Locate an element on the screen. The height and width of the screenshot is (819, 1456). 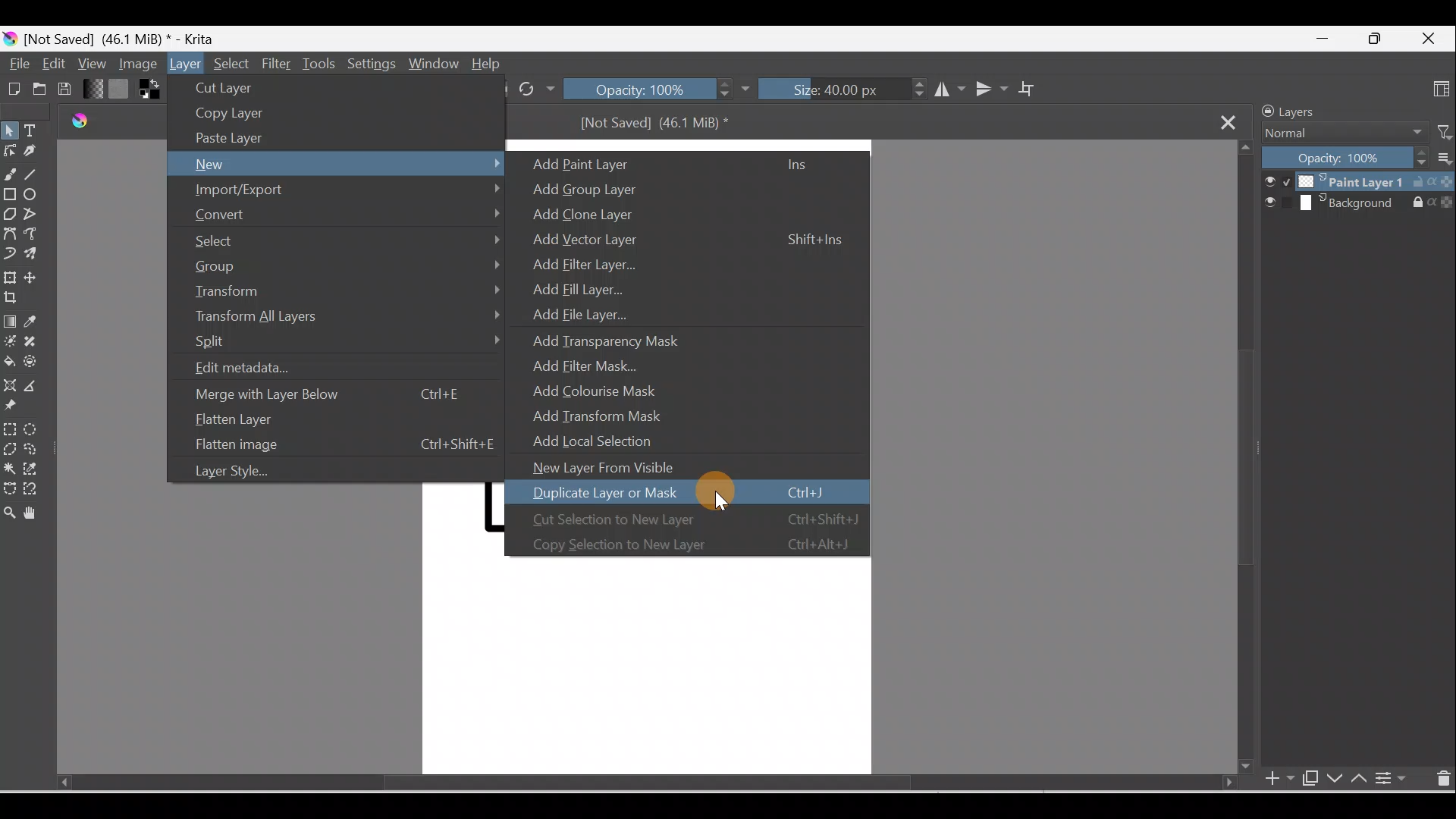
New layer from visible is located at coordinates (613, 467).